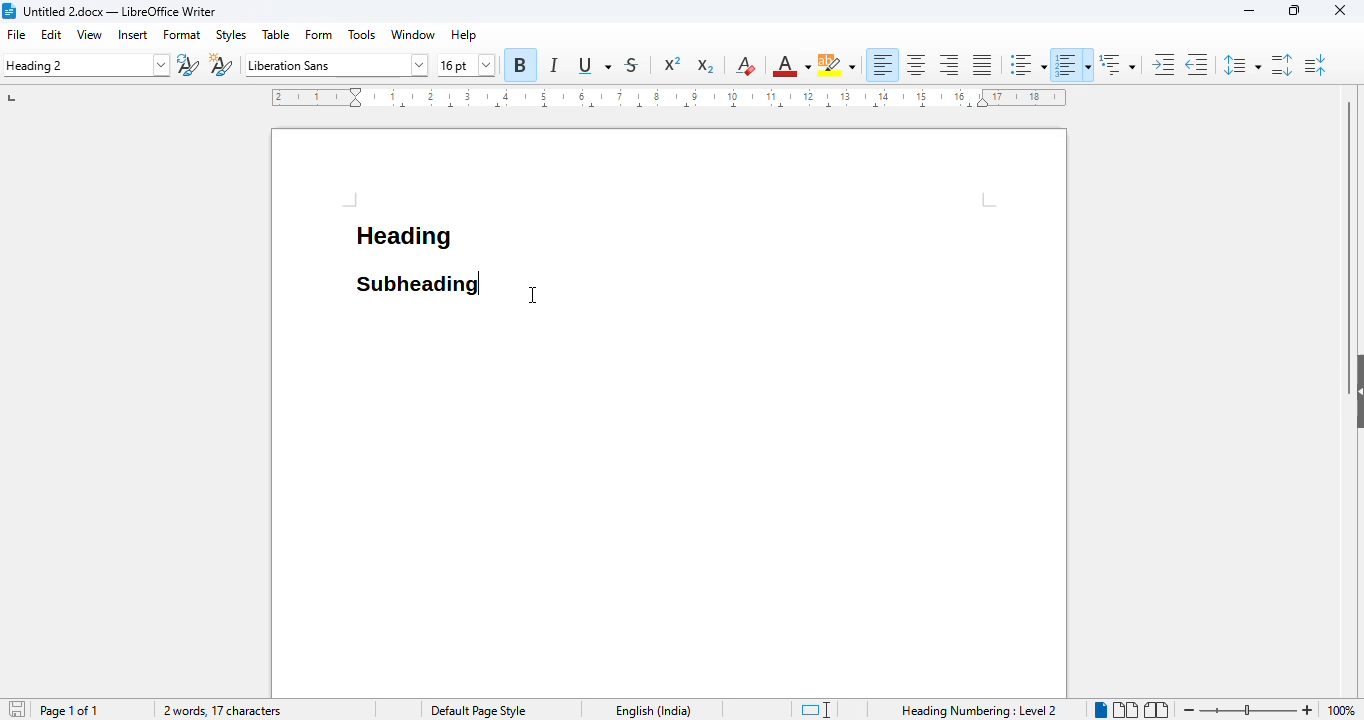 The image size is (1364, 720). What do you see at coordinates (1164, 64) in the screenshot?
I see `increase indent` at bounding box center [1164, 64].